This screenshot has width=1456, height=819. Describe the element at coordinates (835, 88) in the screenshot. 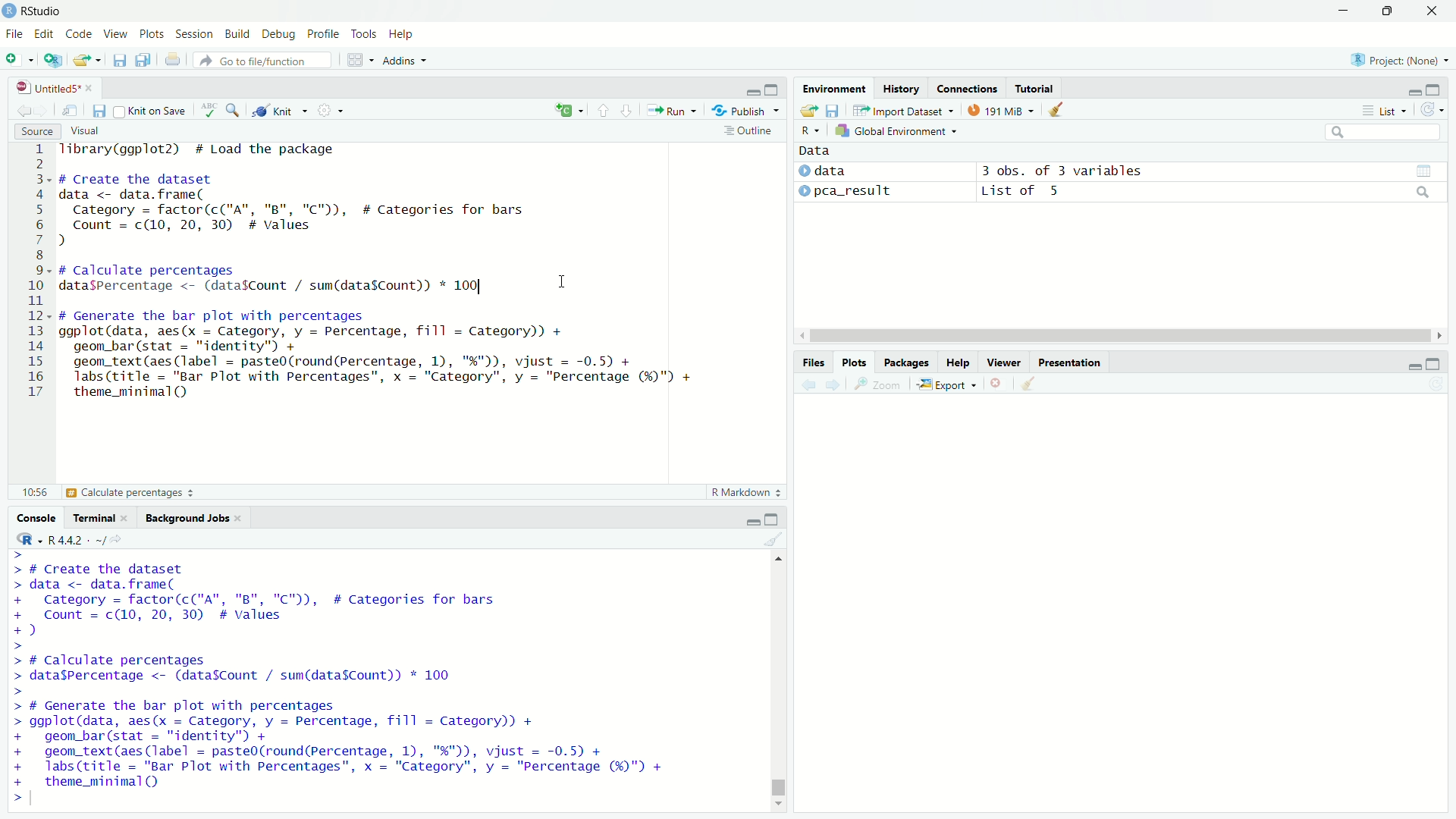

I see `environment` at that location.